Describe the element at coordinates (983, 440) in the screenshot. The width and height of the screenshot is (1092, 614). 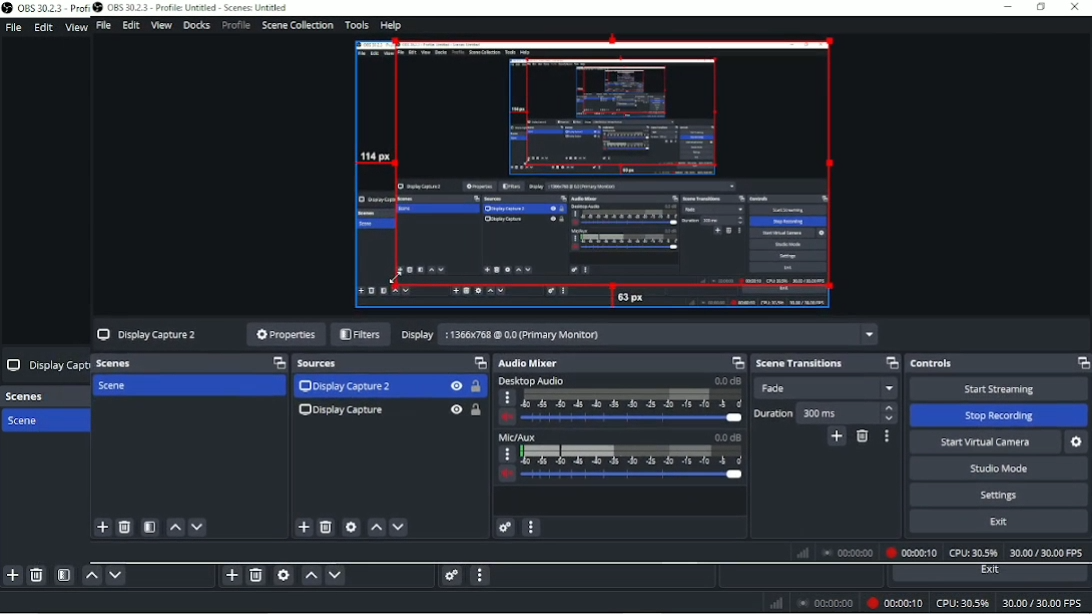
I see `Start Virtual Camera` at that location.